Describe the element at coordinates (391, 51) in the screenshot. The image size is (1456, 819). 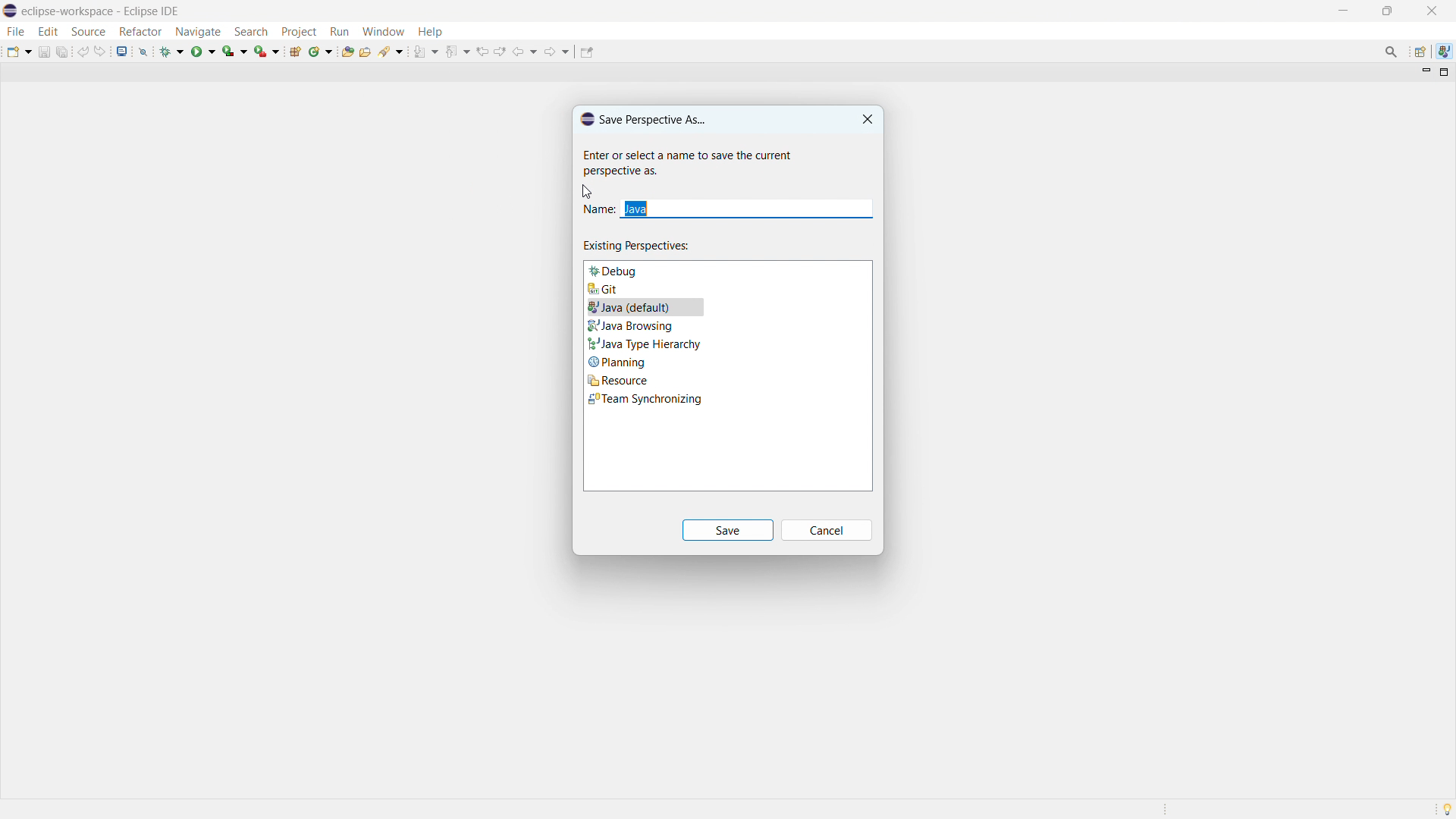
I see `search` at that location.